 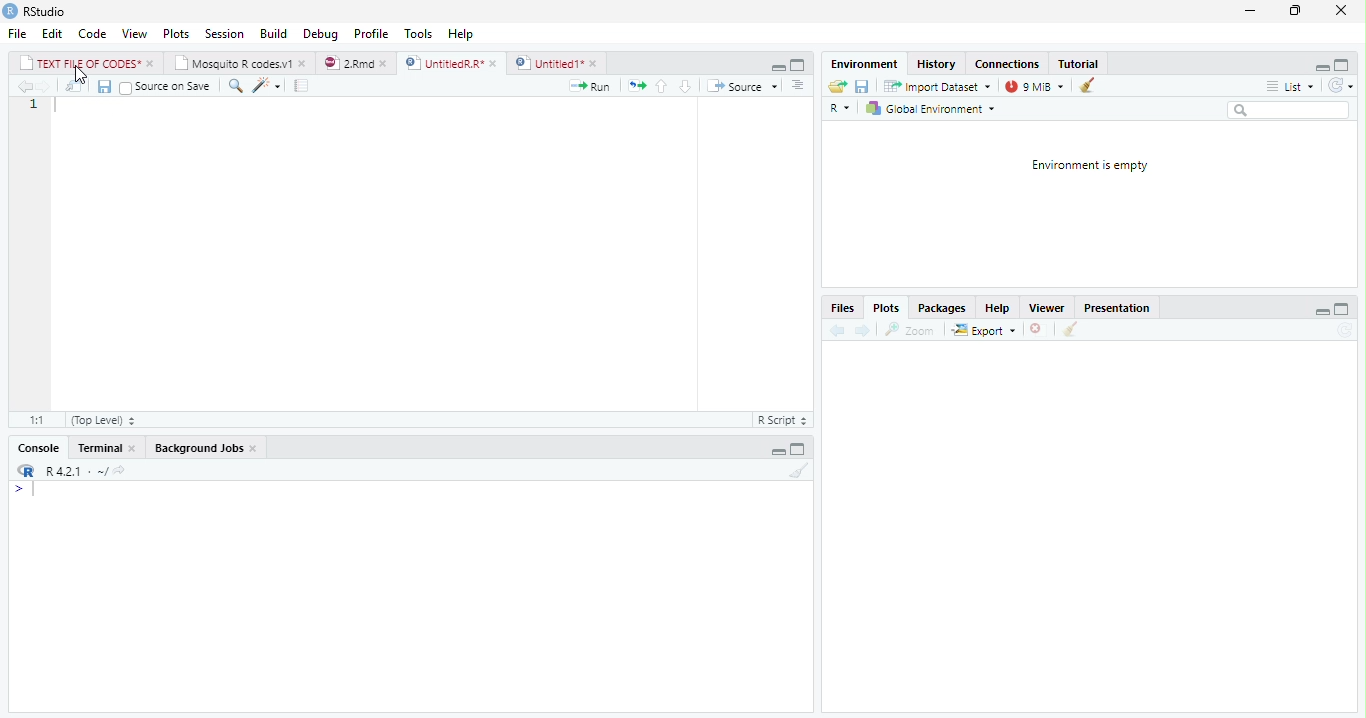 What do you see at coordinates (983, 330) in the screenshot?
I see `Export ` at bounding box center [983, 330].